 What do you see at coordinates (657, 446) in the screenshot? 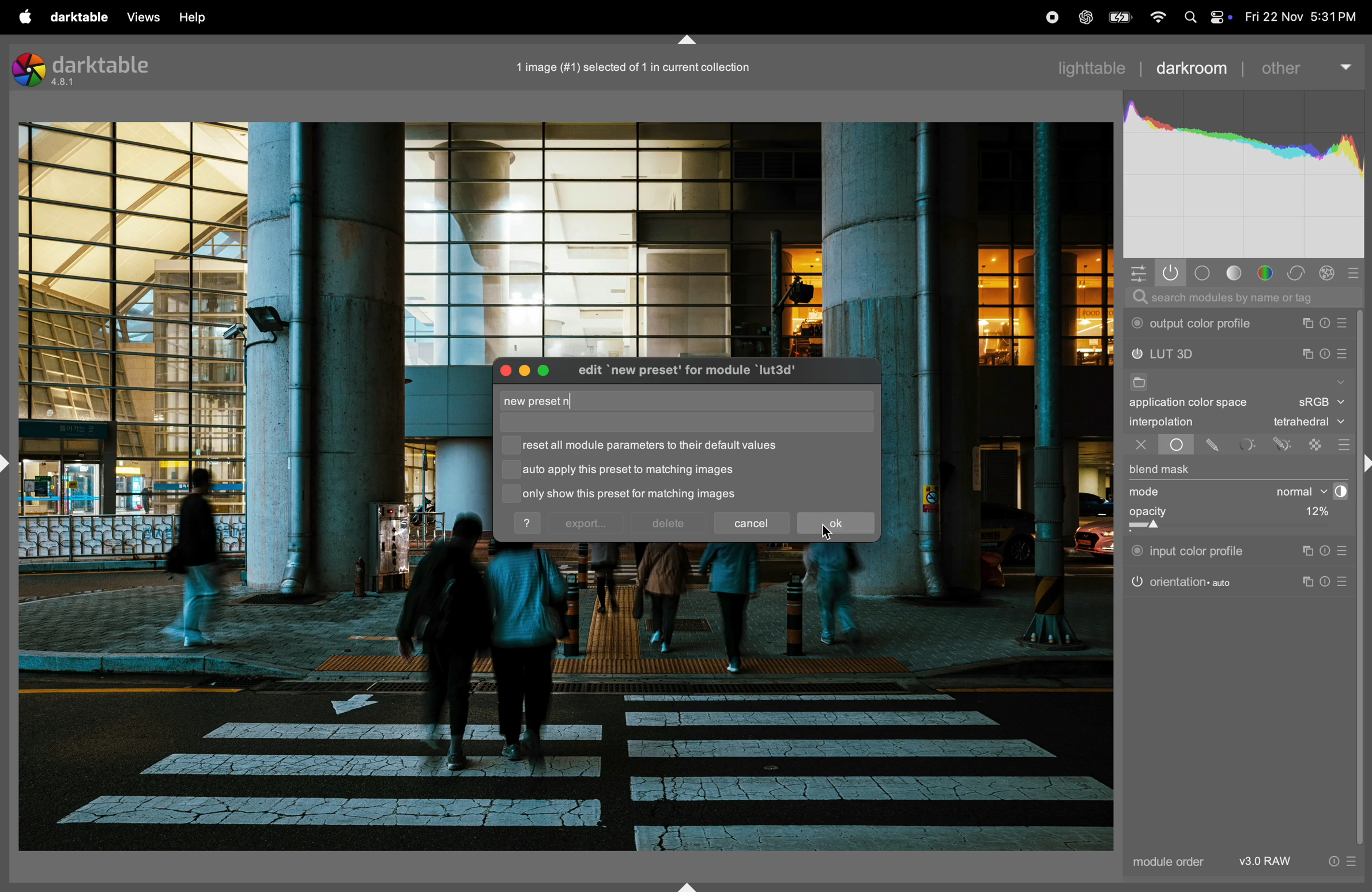
I see `reset all default values` at bounding box center [657, 446].